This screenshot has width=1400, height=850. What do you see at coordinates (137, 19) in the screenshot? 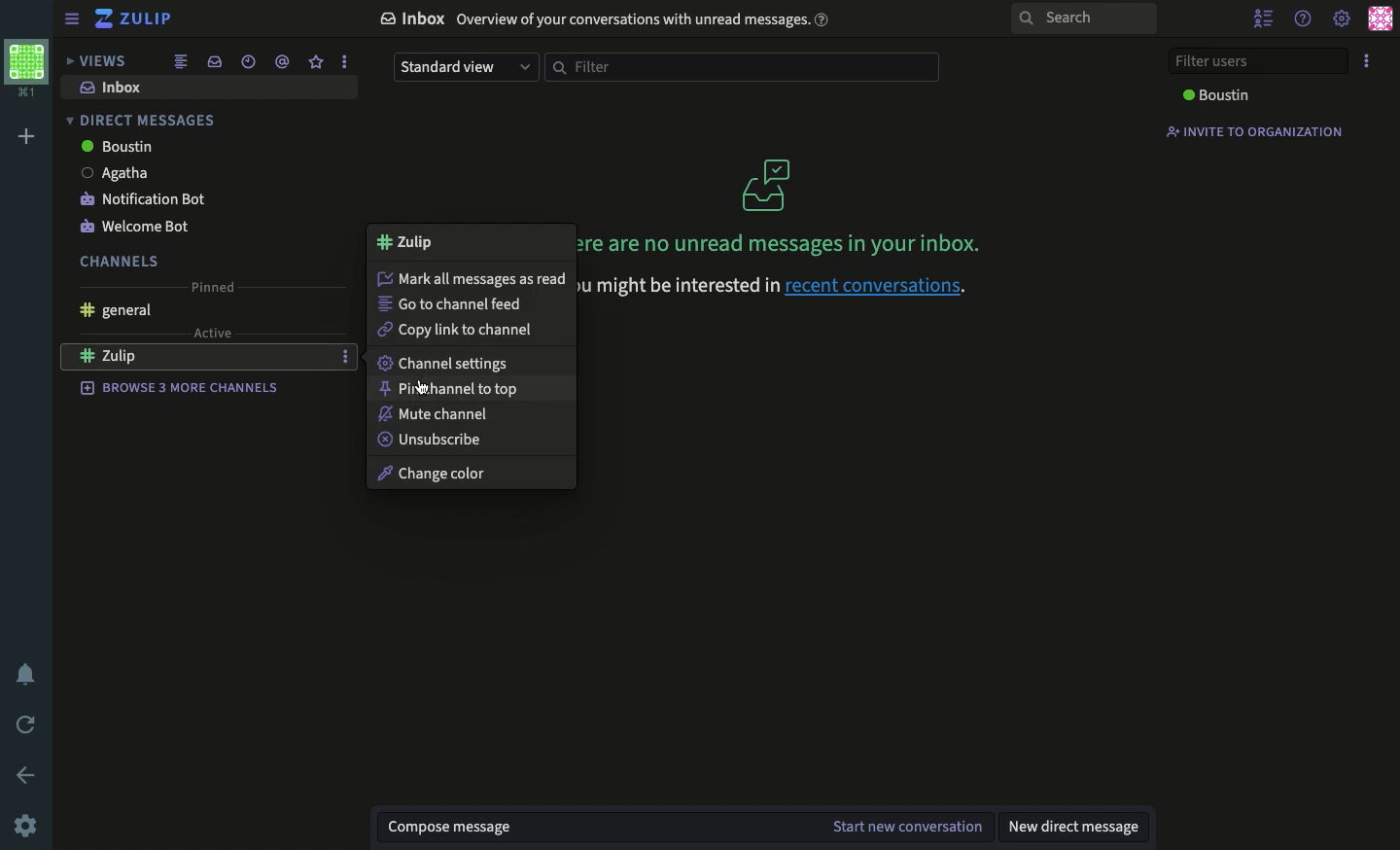
I see `Zulip` at bounding box center [137, 19].